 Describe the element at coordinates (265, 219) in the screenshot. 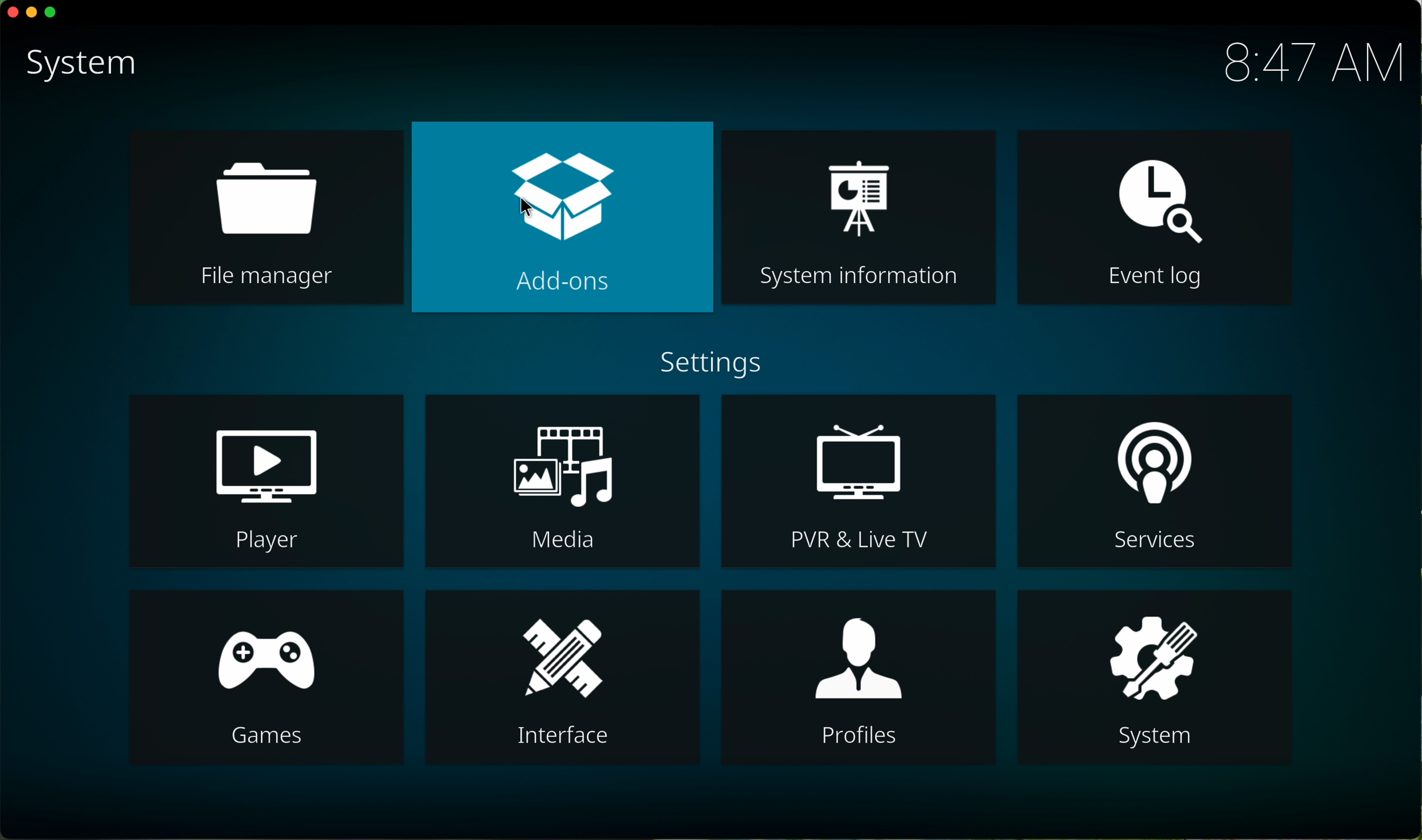

I see `file manager` at that location.